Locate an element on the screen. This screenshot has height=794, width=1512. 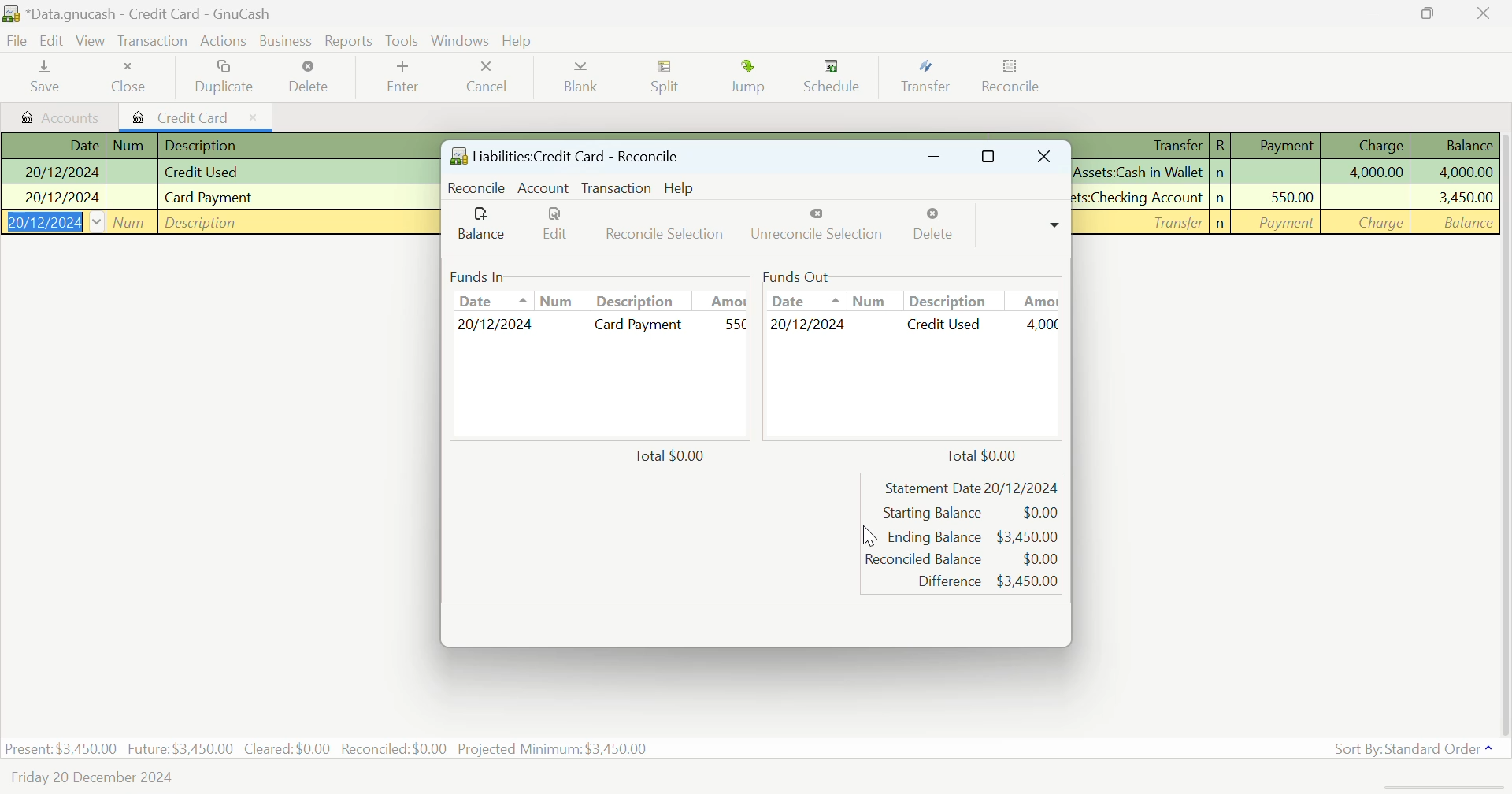
Statement Date 20/12/2024 is located at coordinates (973, 489).